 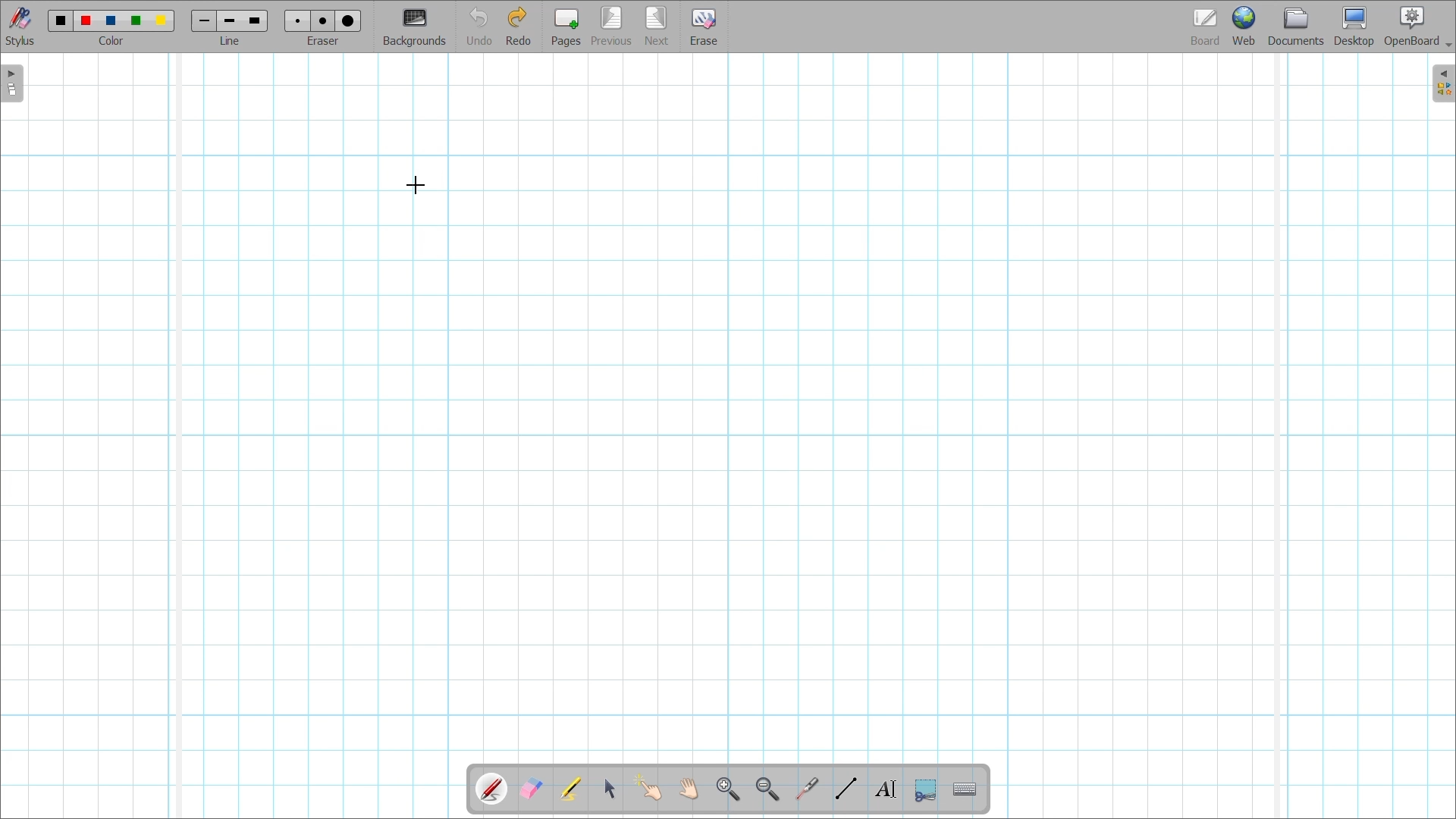 I want to click on Open web, so click(x=1244, y=26).